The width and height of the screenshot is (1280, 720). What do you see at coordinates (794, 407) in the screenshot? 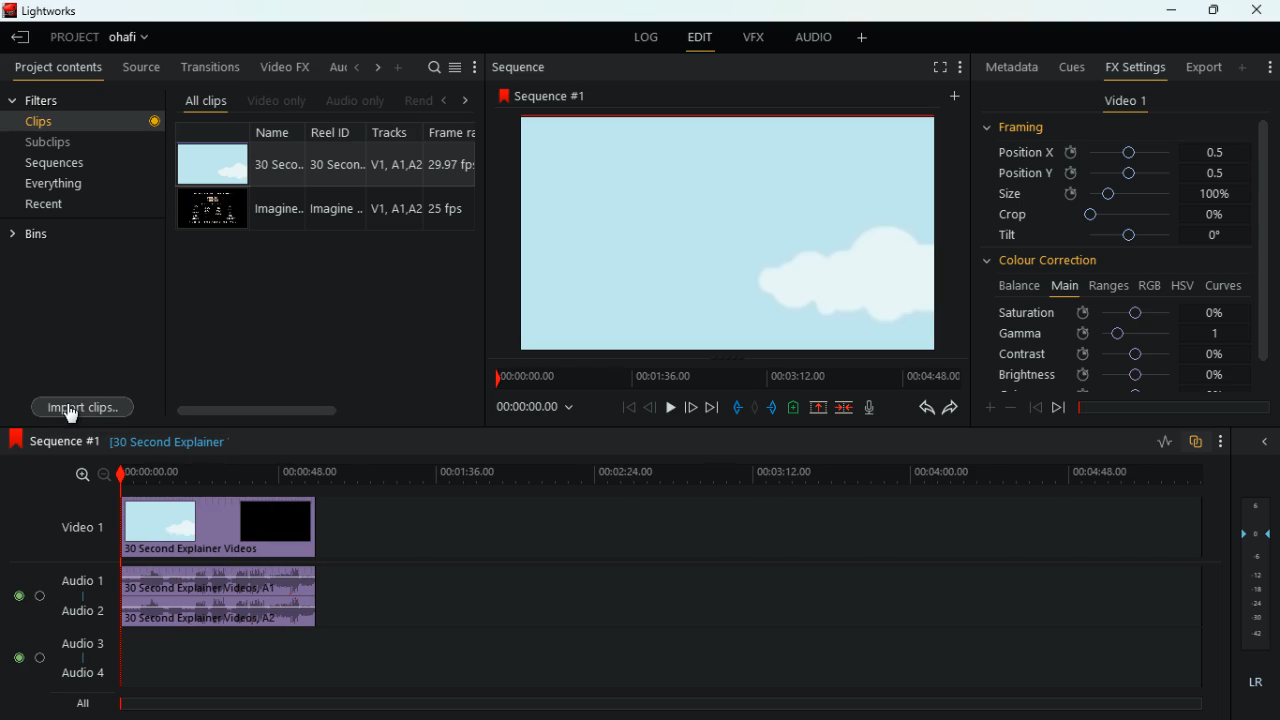
I see `charge` at bounding box center [794, 407].